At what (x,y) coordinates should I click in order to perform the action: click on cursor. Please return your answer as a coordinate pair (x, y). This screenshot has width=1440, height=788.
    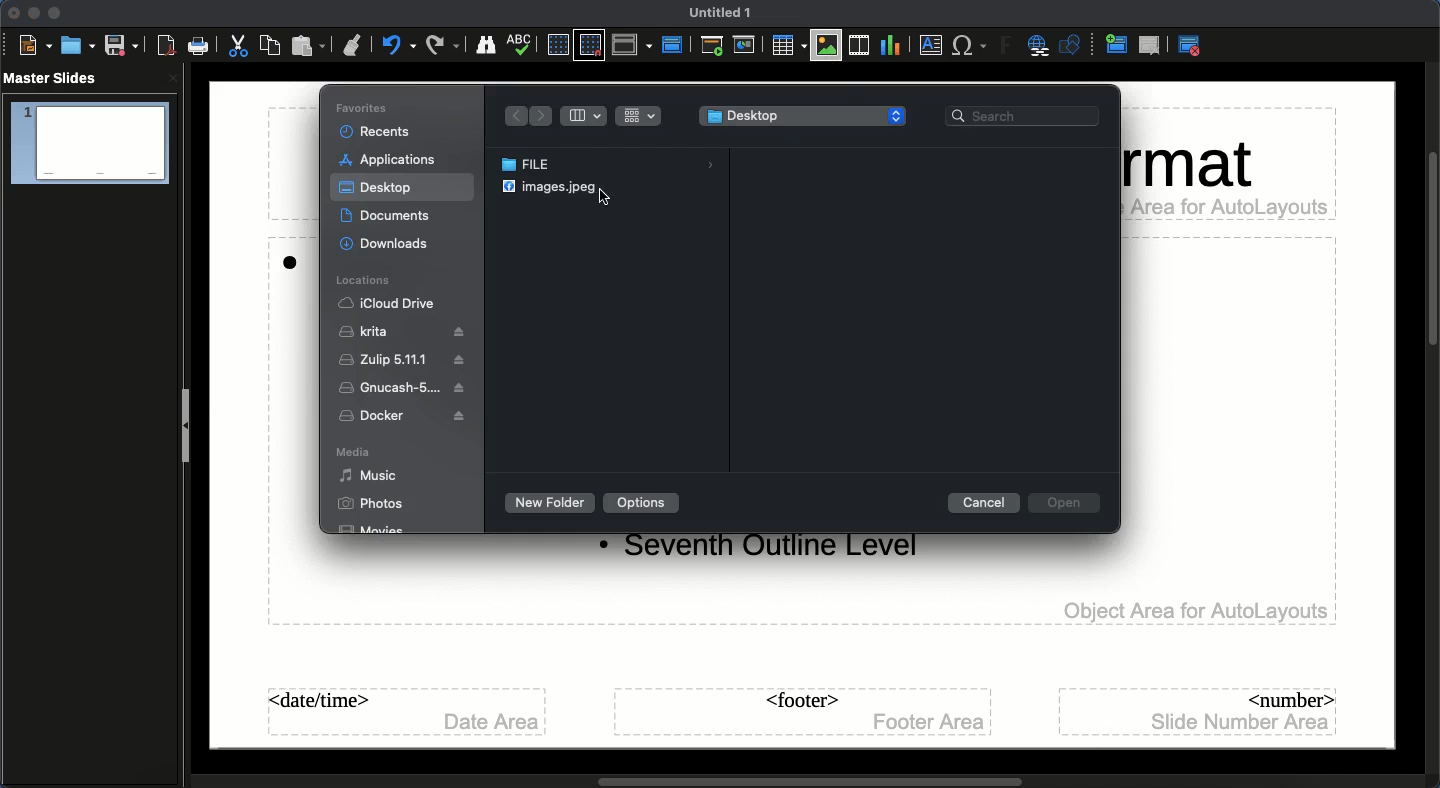
    Looking at the image, I should click on (604, 197).